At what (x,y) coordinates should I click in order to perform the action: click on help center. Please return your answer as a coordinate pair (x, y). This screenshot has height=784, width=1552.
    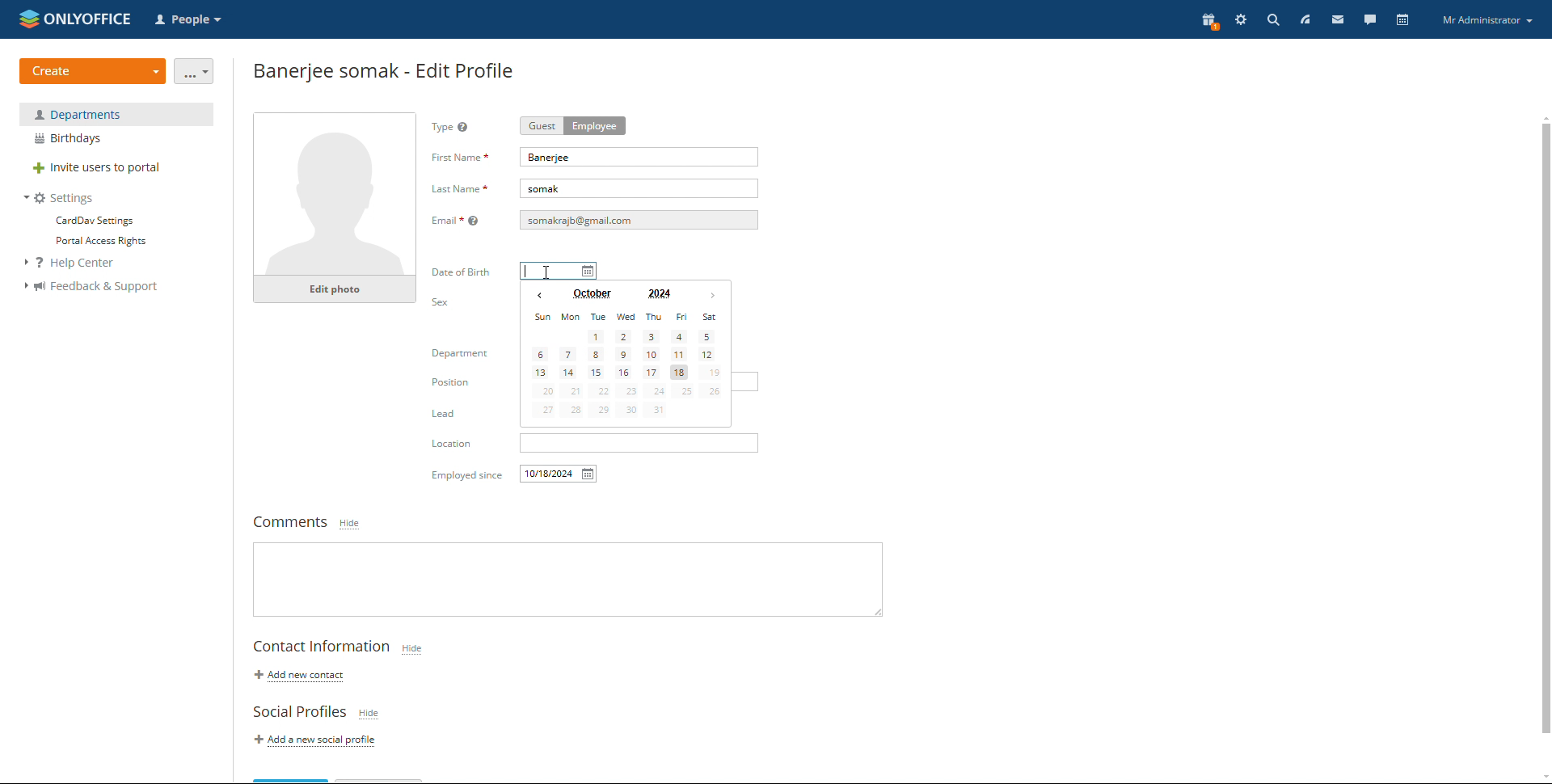
    Looking at the image, I should click on (78, 263).